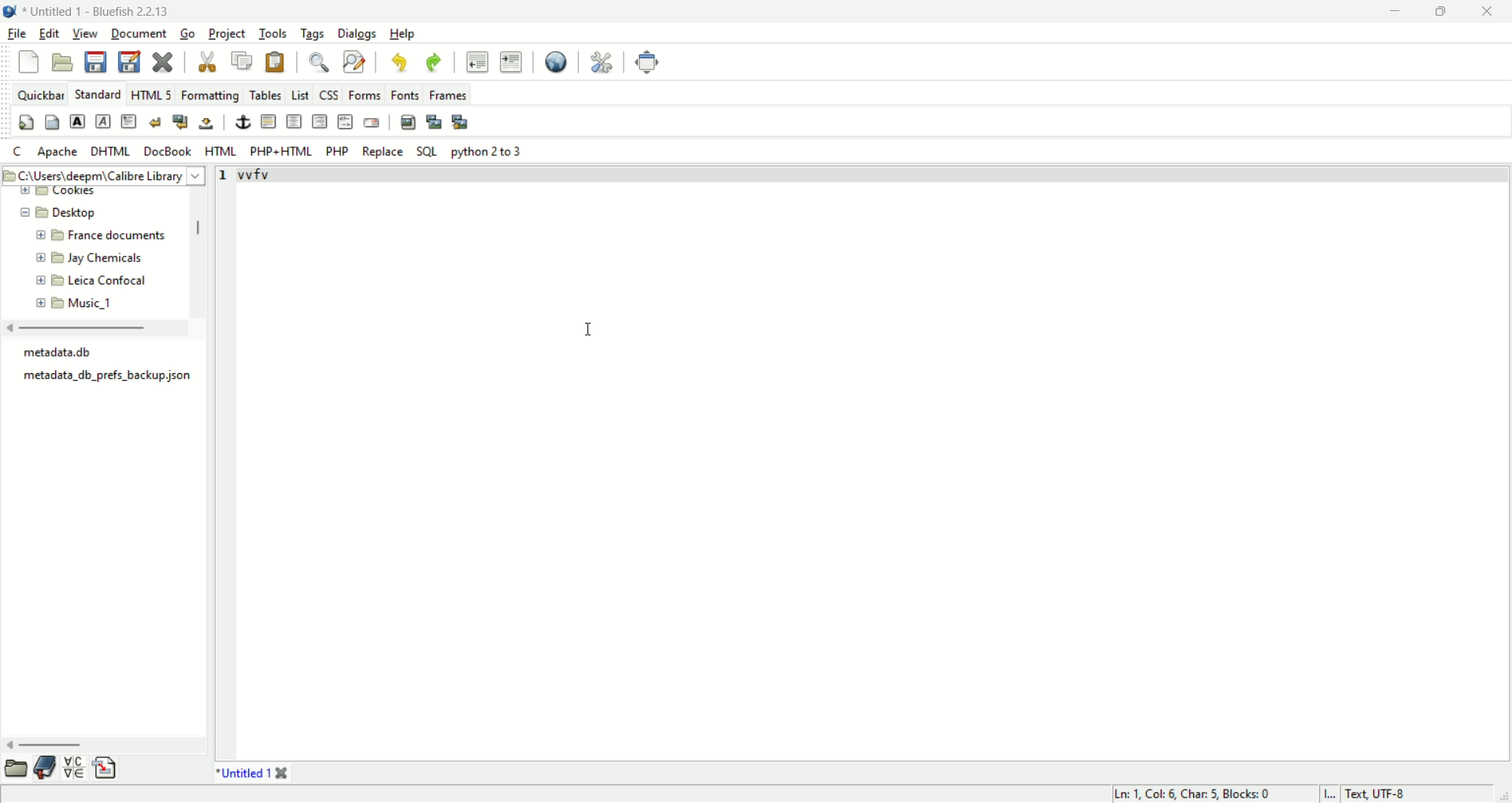 The image size is (1512, 803). What do you see at coordinates (477, 61) in the screenshot?
I see `unindent` at bounding box center [477, 61].